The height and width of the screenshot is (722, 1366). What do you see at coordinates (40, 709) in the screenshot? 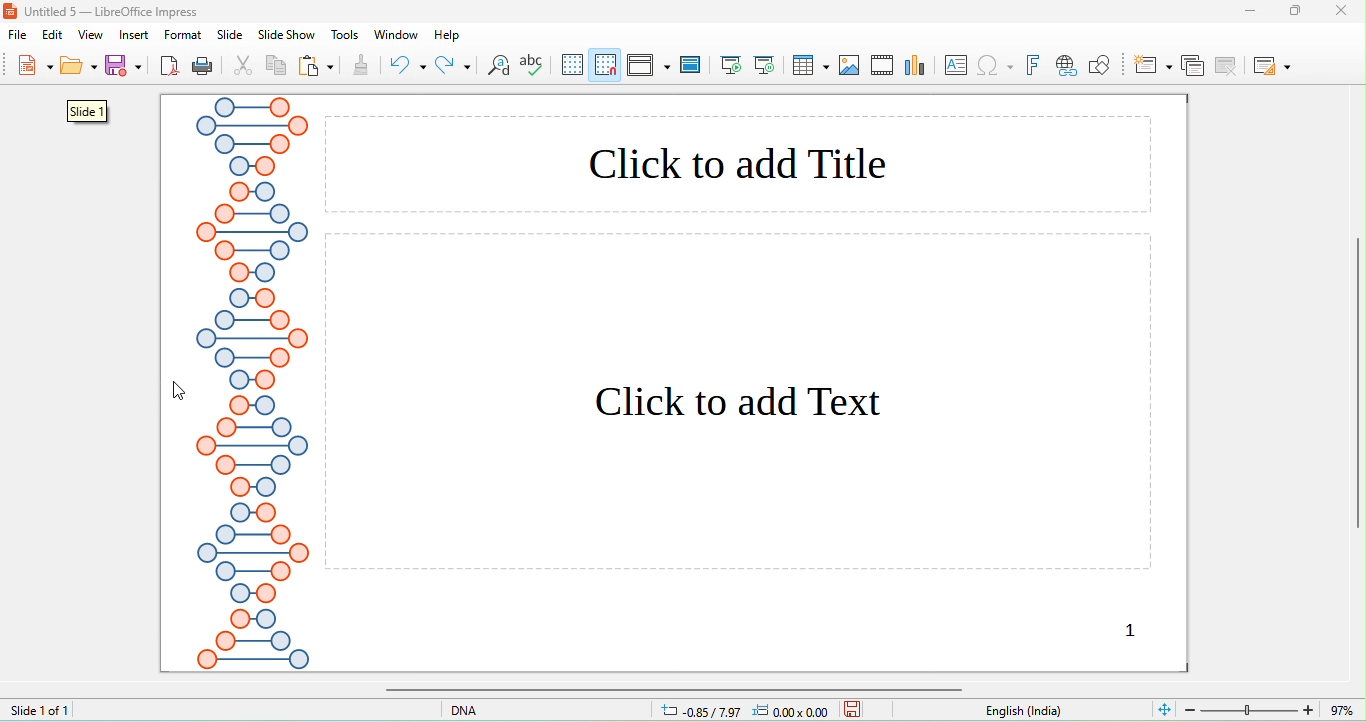
I see `slide 1 of 1` at bounding box center [40, 709].